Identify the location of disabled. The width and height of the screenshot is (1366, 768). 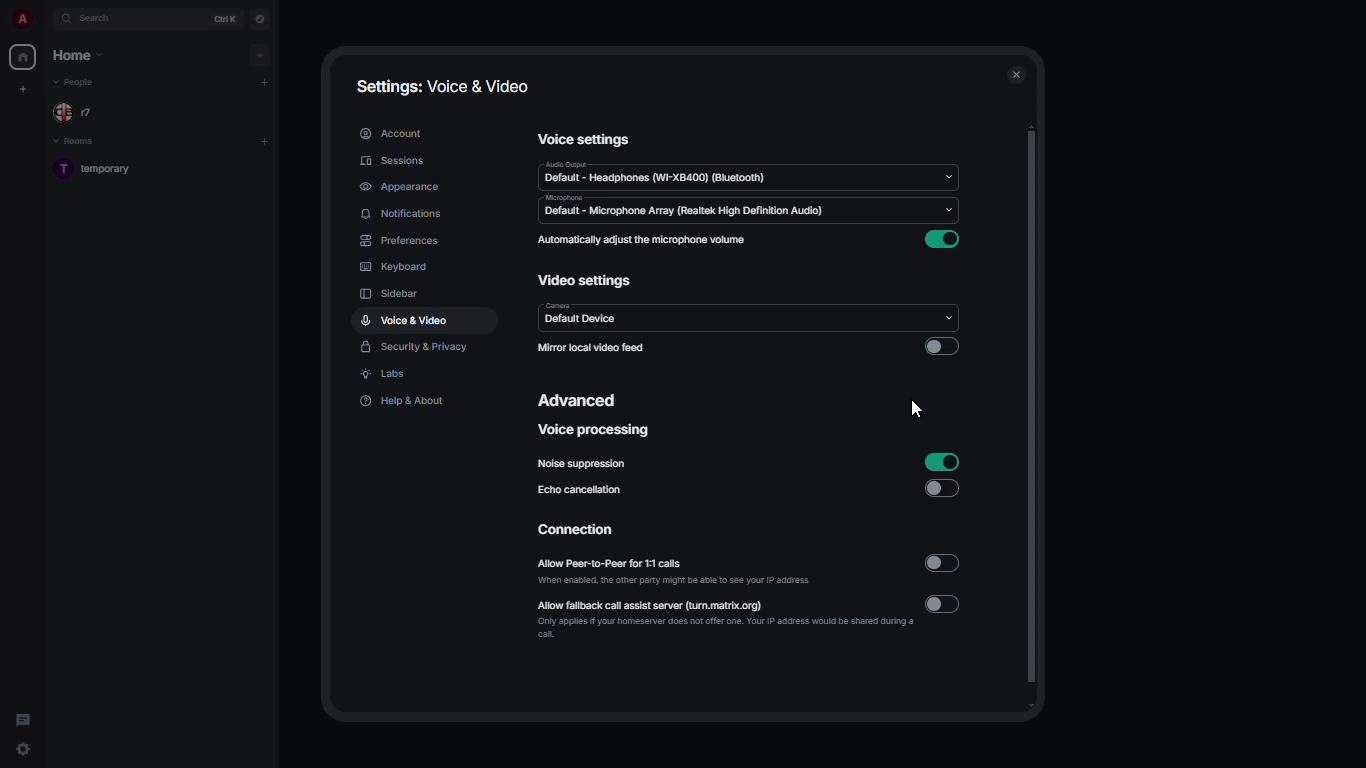
(941, 347).